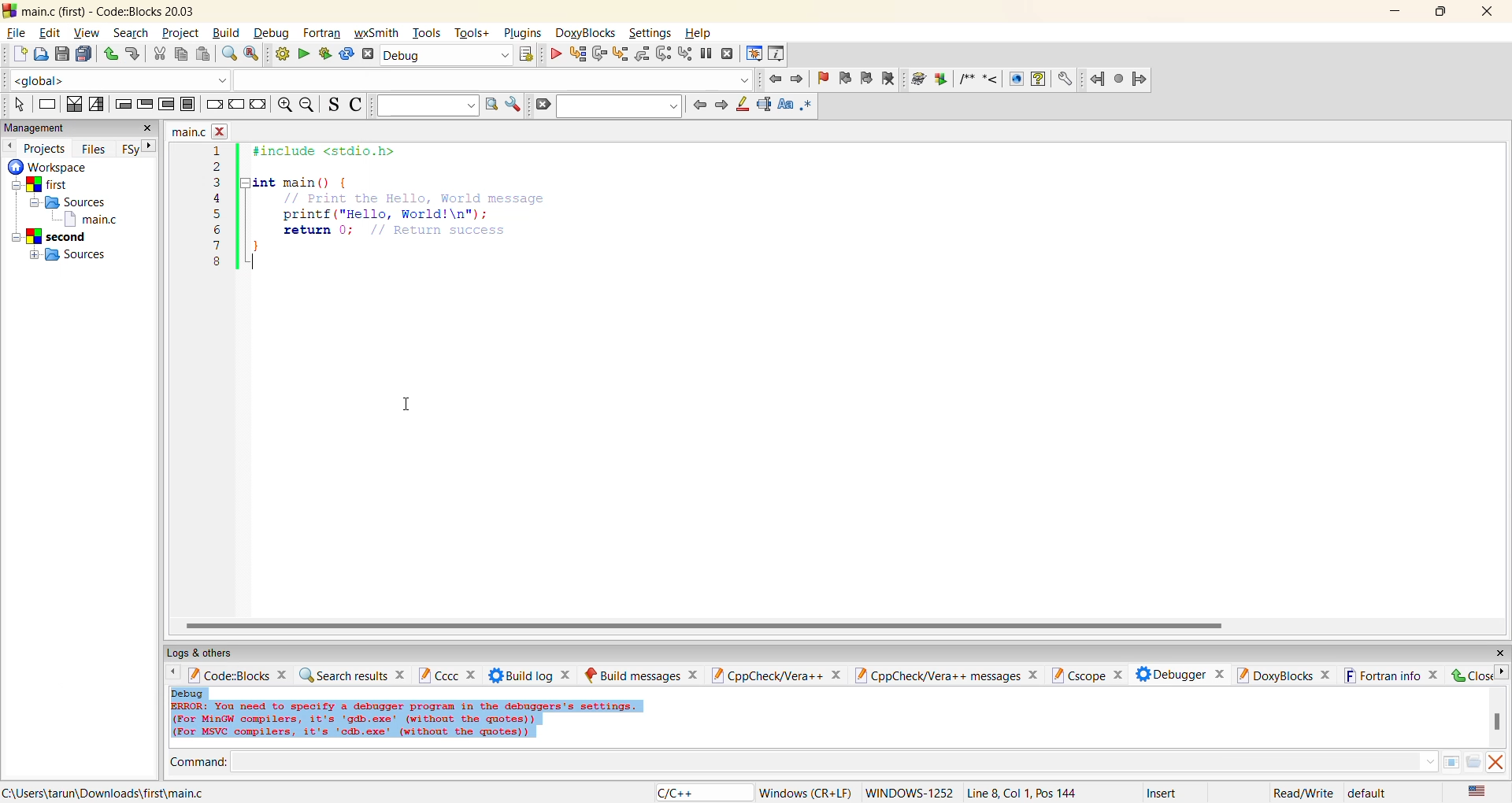 This screenshot has height=803, width=1512. Describe the element at coordinates (491, 105) in the screenshot. I see `run search` at that location.